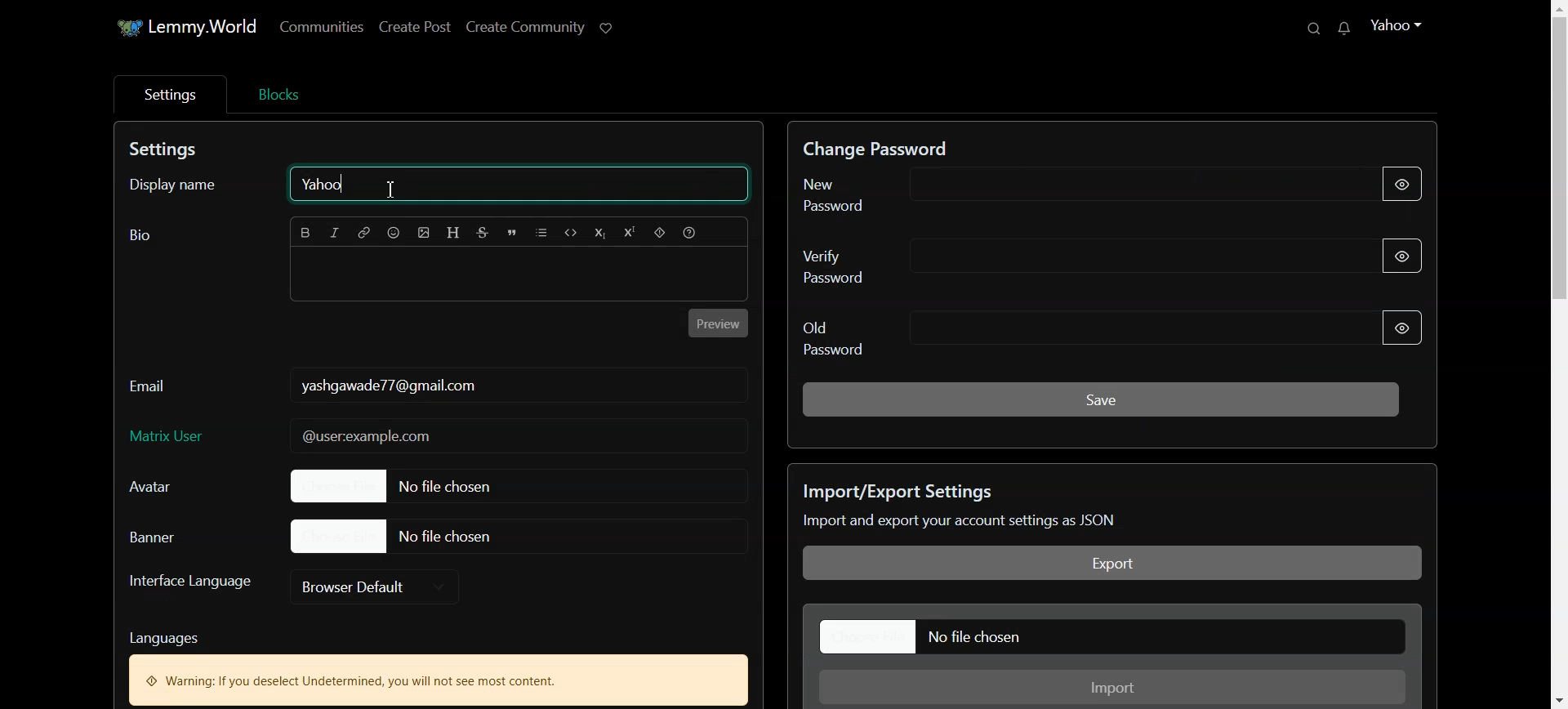  I want to click on Formatting help, so click(690, 234).